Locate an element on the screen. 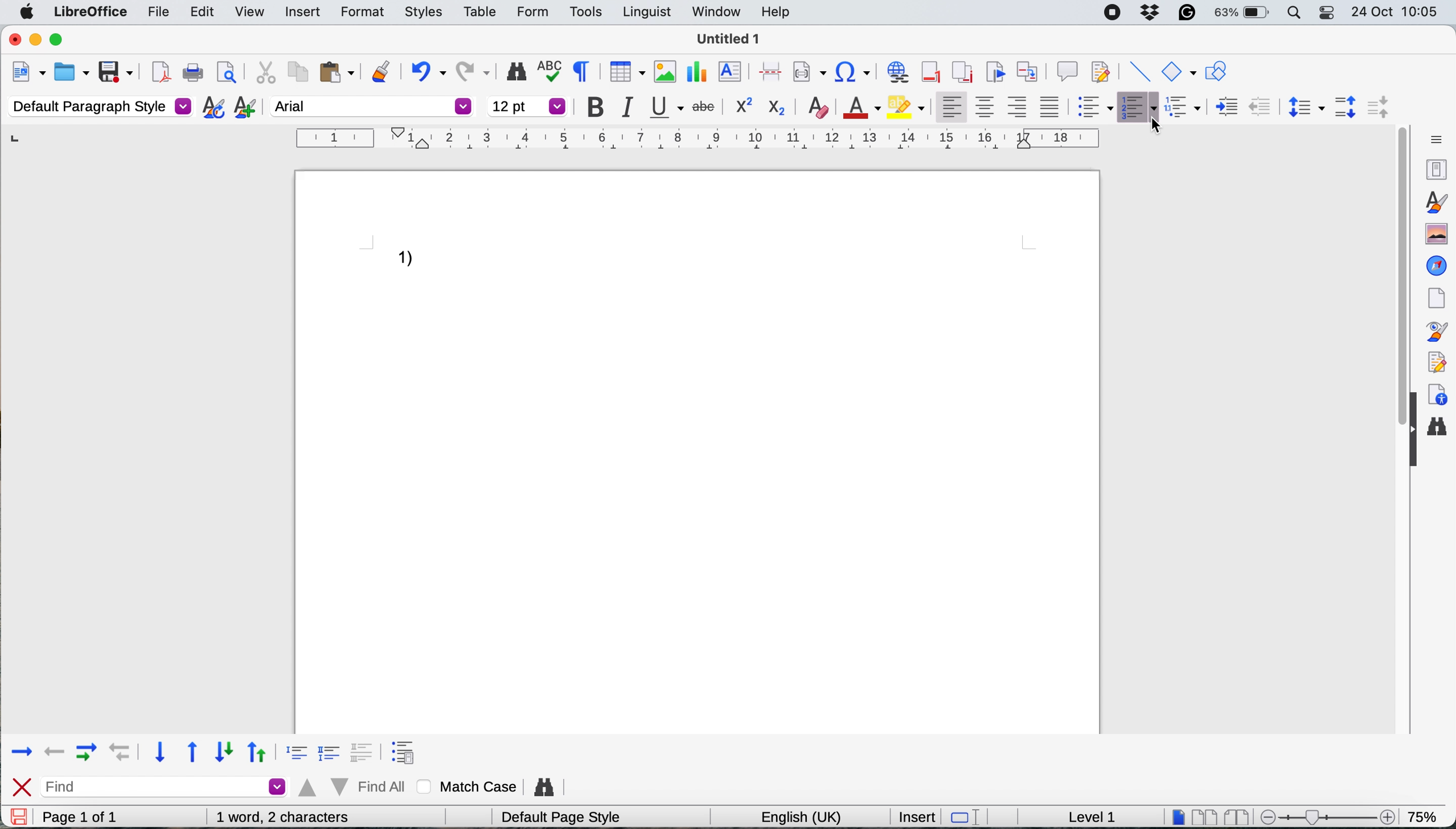 The width and height of the screenshot is (1456, 829). styles is located at coordinates (1434, 200).